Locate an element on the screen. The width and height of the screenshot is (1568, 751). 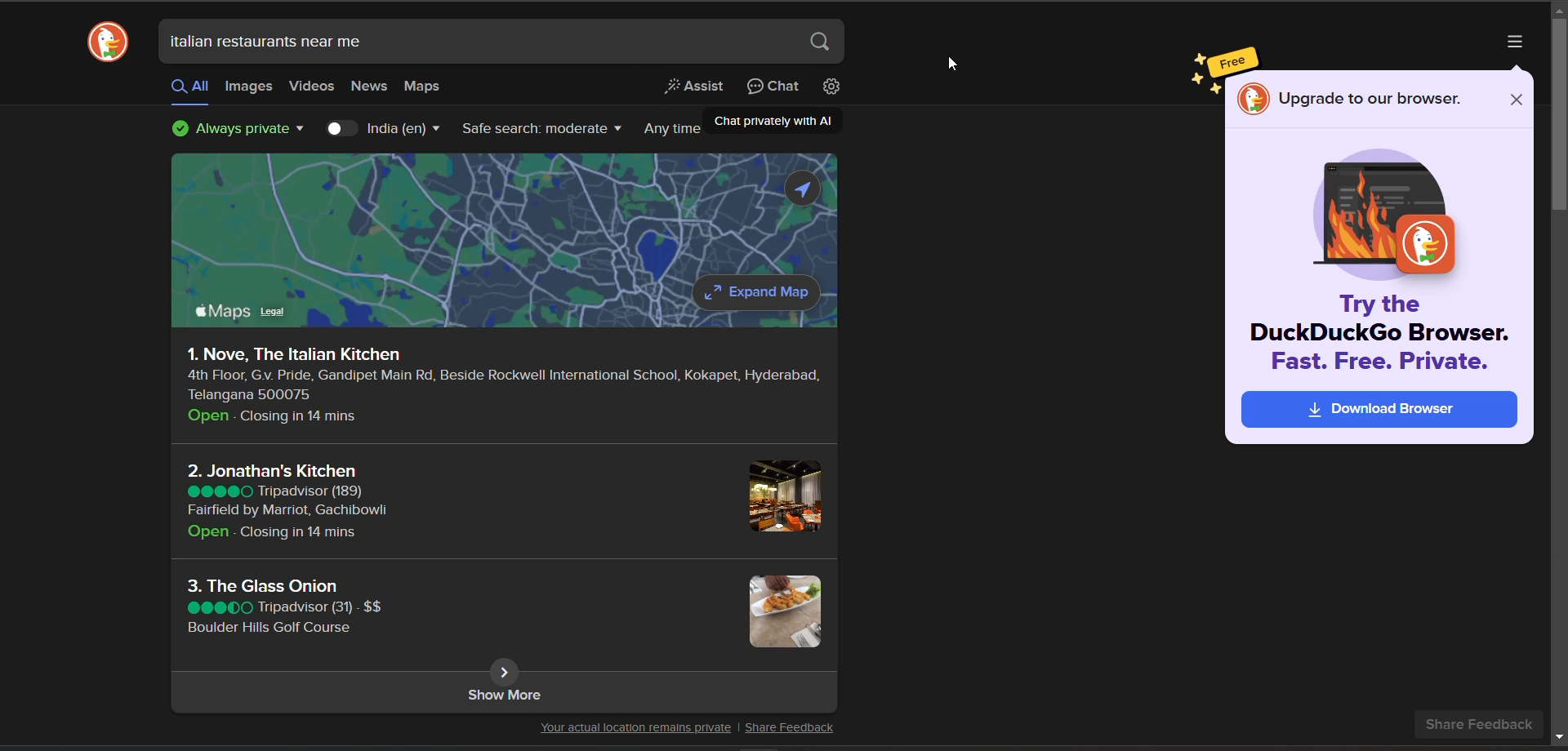
Search maps is located at coordinates (421, 86).